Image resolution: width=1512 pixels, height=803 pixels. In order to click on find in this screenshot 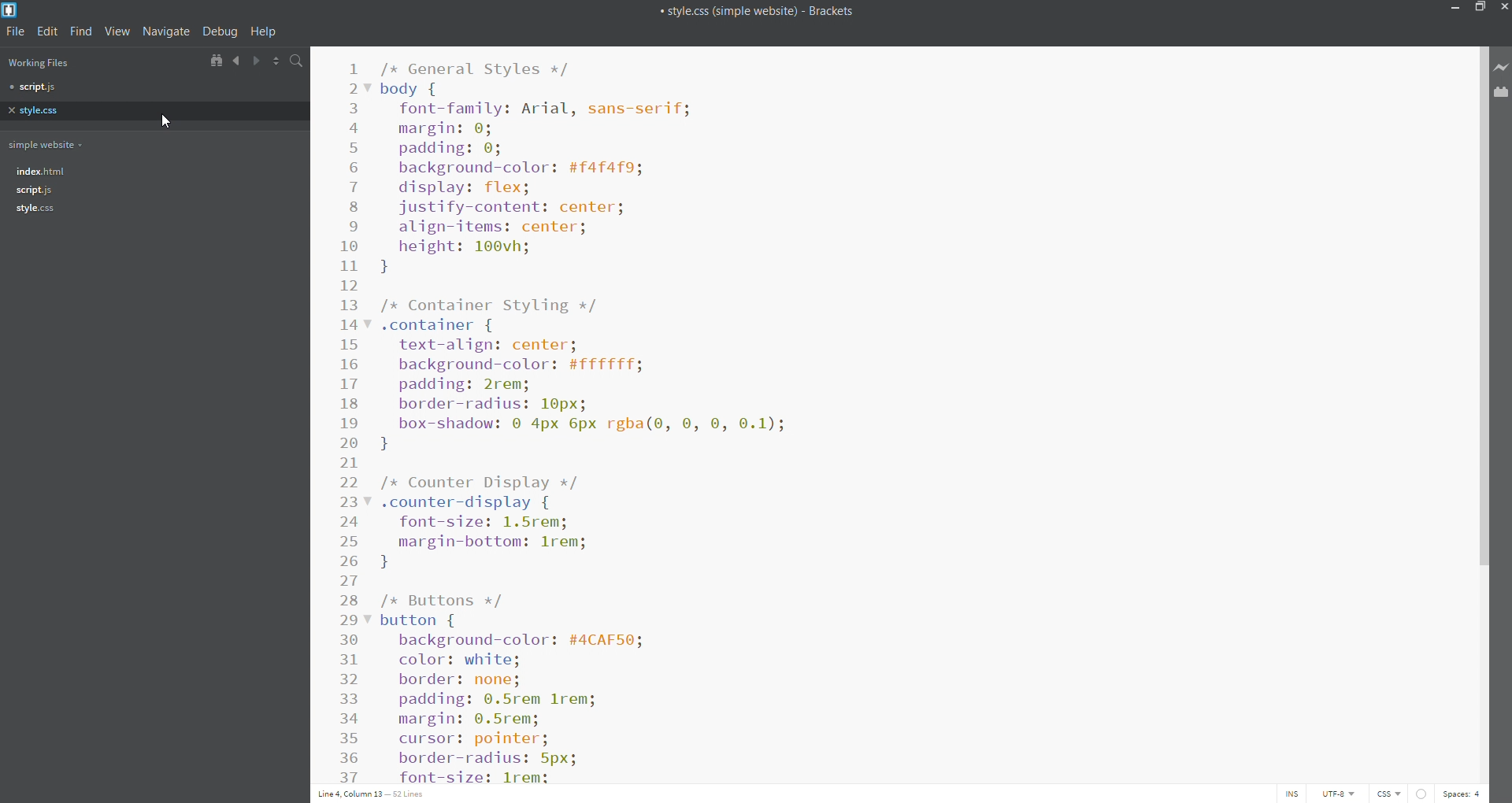, I will do `click(82, 32)`.